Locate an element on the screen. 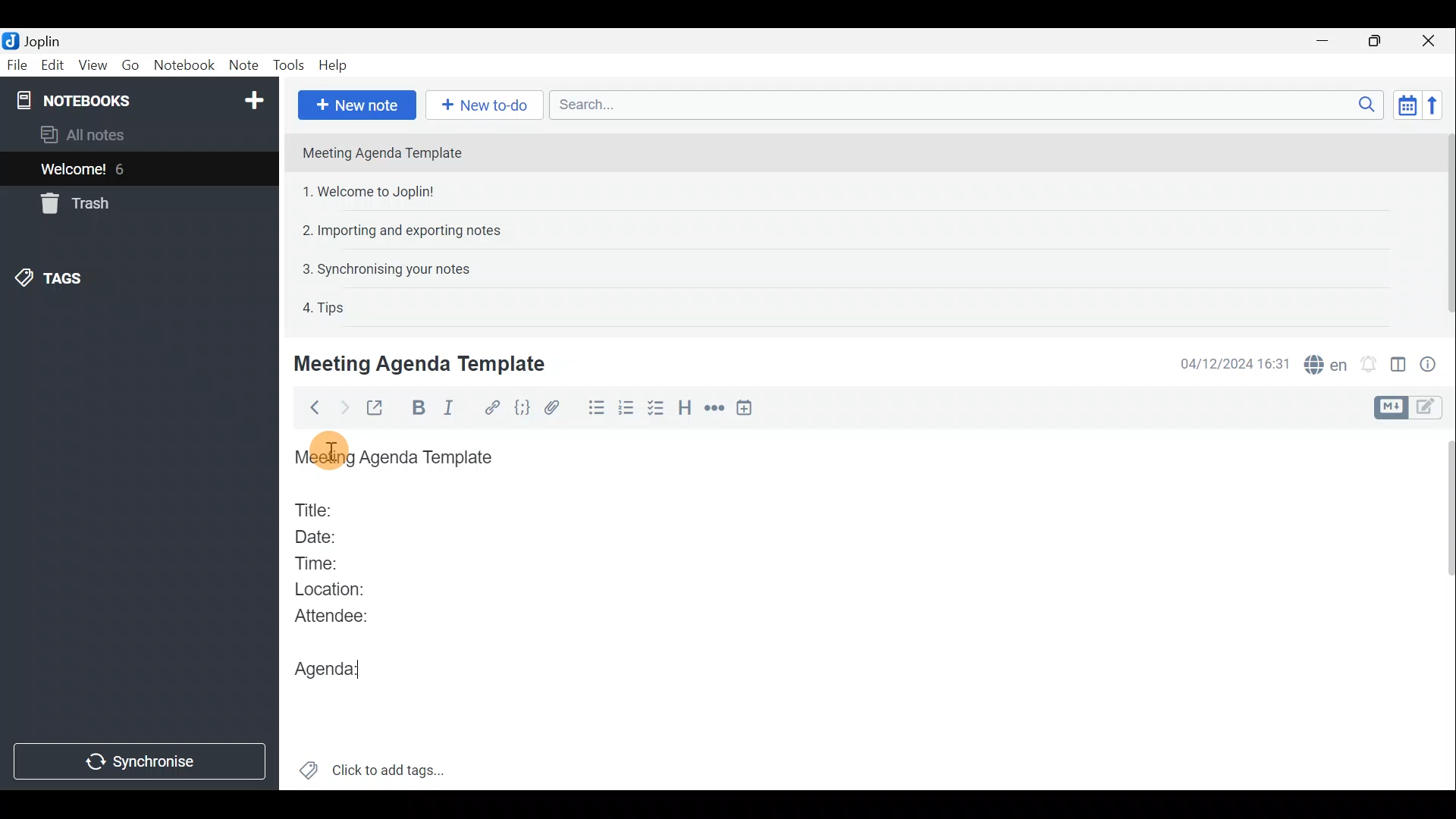 The image size is (1456, 819). Minimise is located at coordinates (1325, 40).